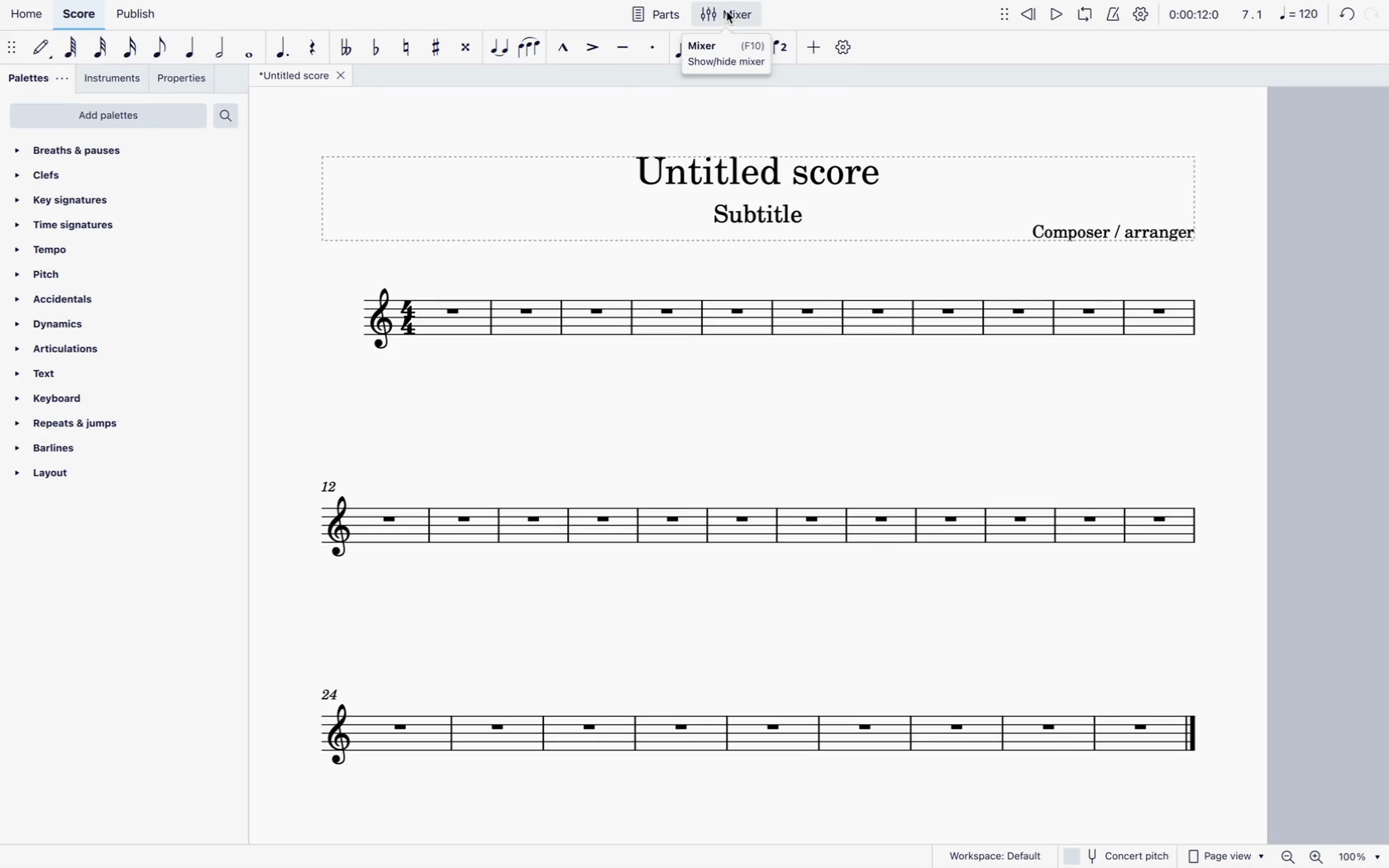 The image size is (1389, 868). I want to click on barlines, so click(79, 447).